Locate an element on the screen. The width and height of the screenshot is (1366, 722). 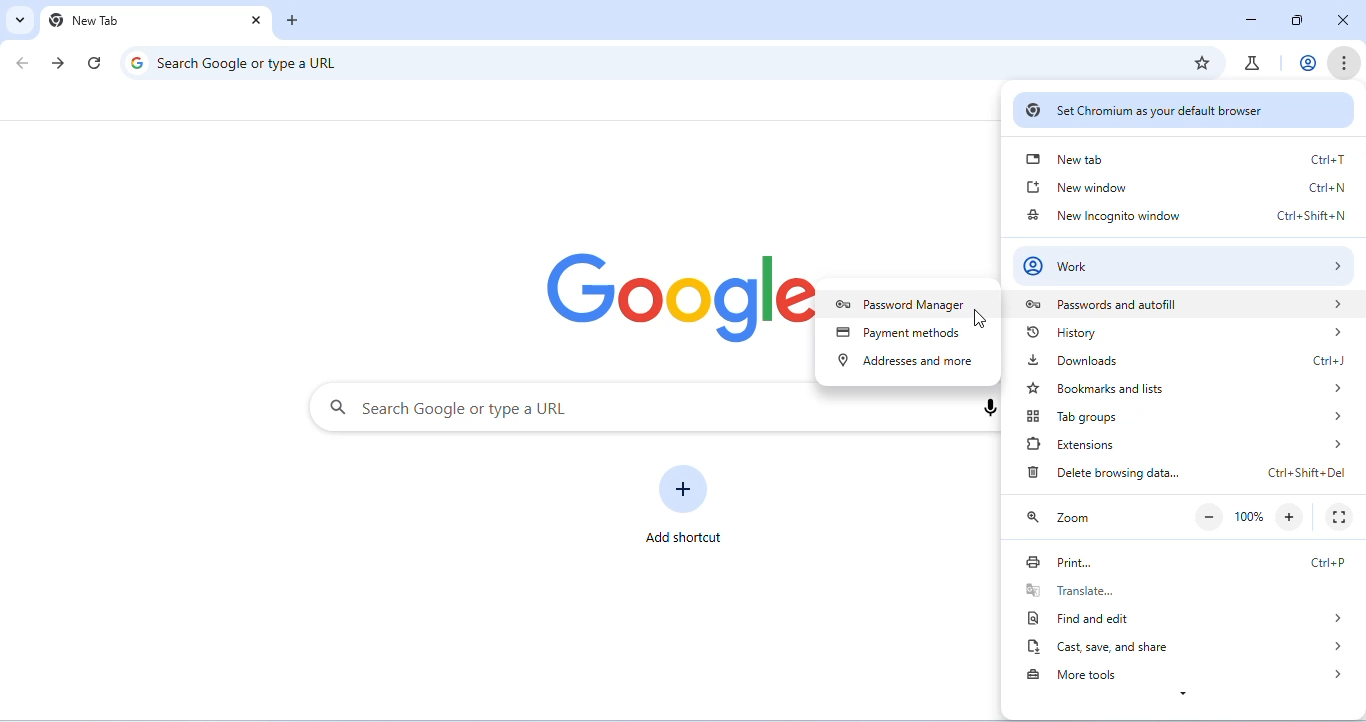
search google or type a URL is located at coordinates (643, 408).